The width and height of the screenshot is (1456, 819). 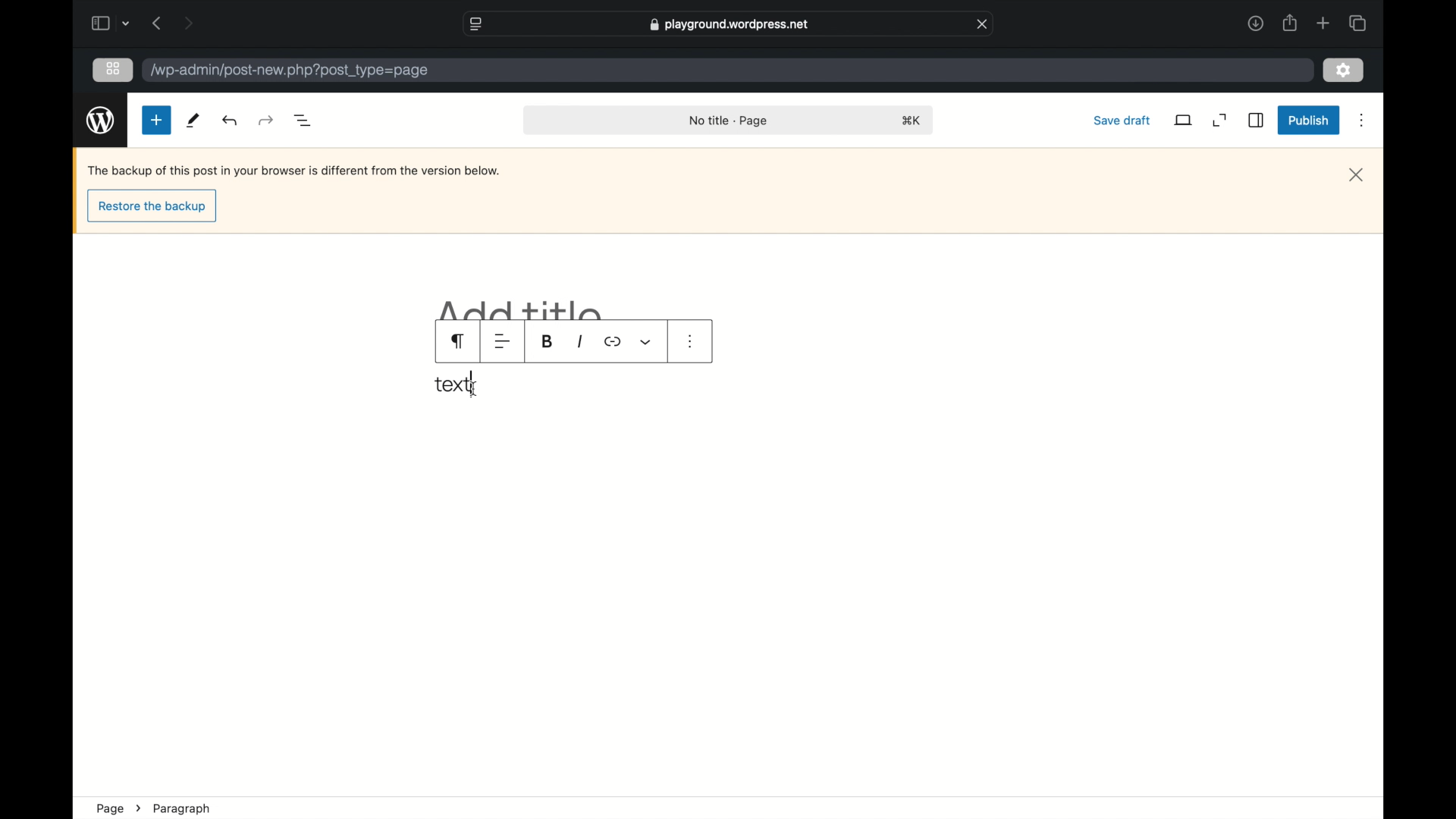 What do you see at coordinates (1184, 120) in the screenshot?
I see `view` at bounding box center [1184, 120].